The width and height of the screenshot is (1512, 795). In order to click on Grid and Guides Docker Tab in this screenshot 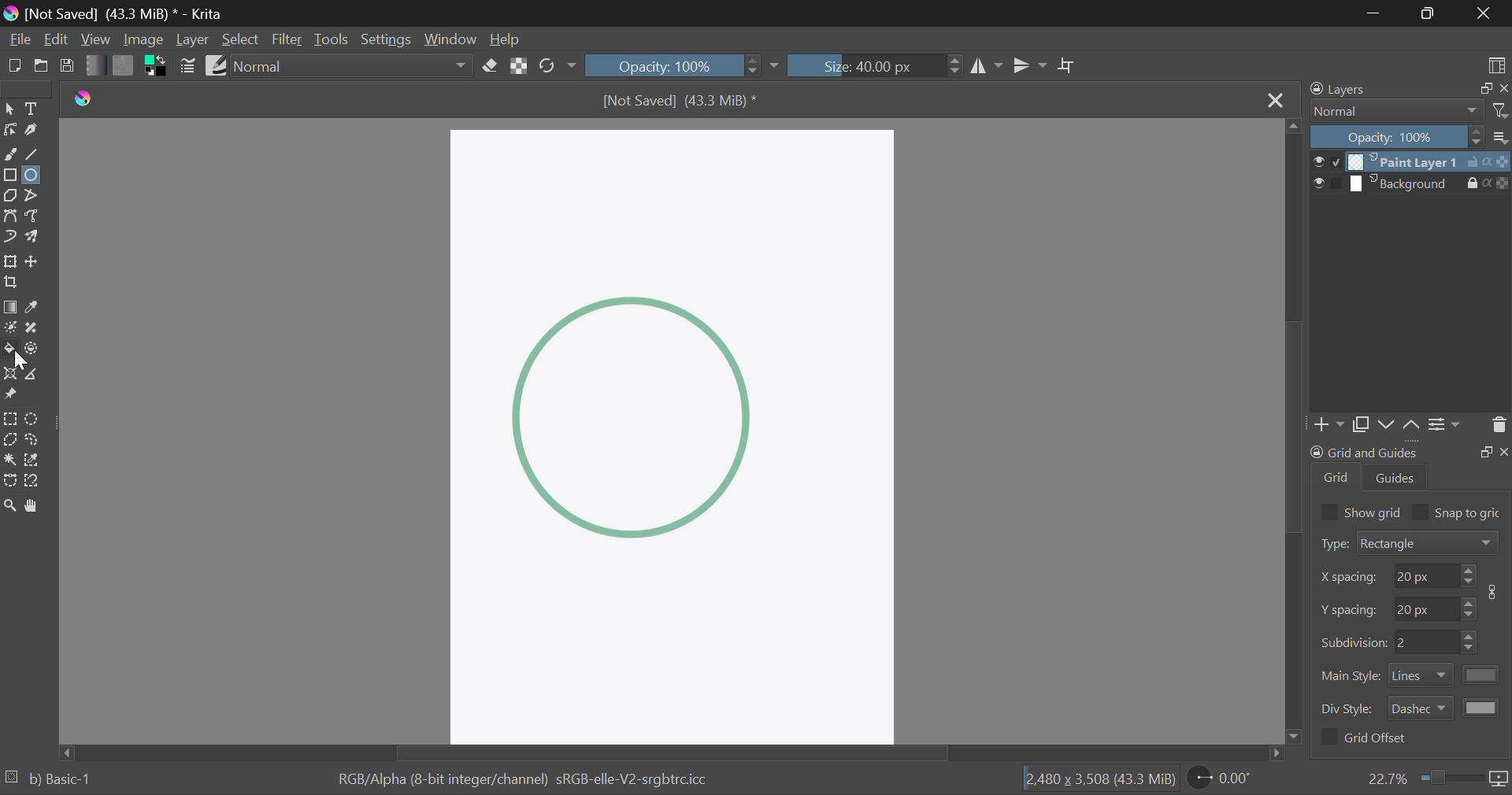, I will do `click(1410, 469)`.